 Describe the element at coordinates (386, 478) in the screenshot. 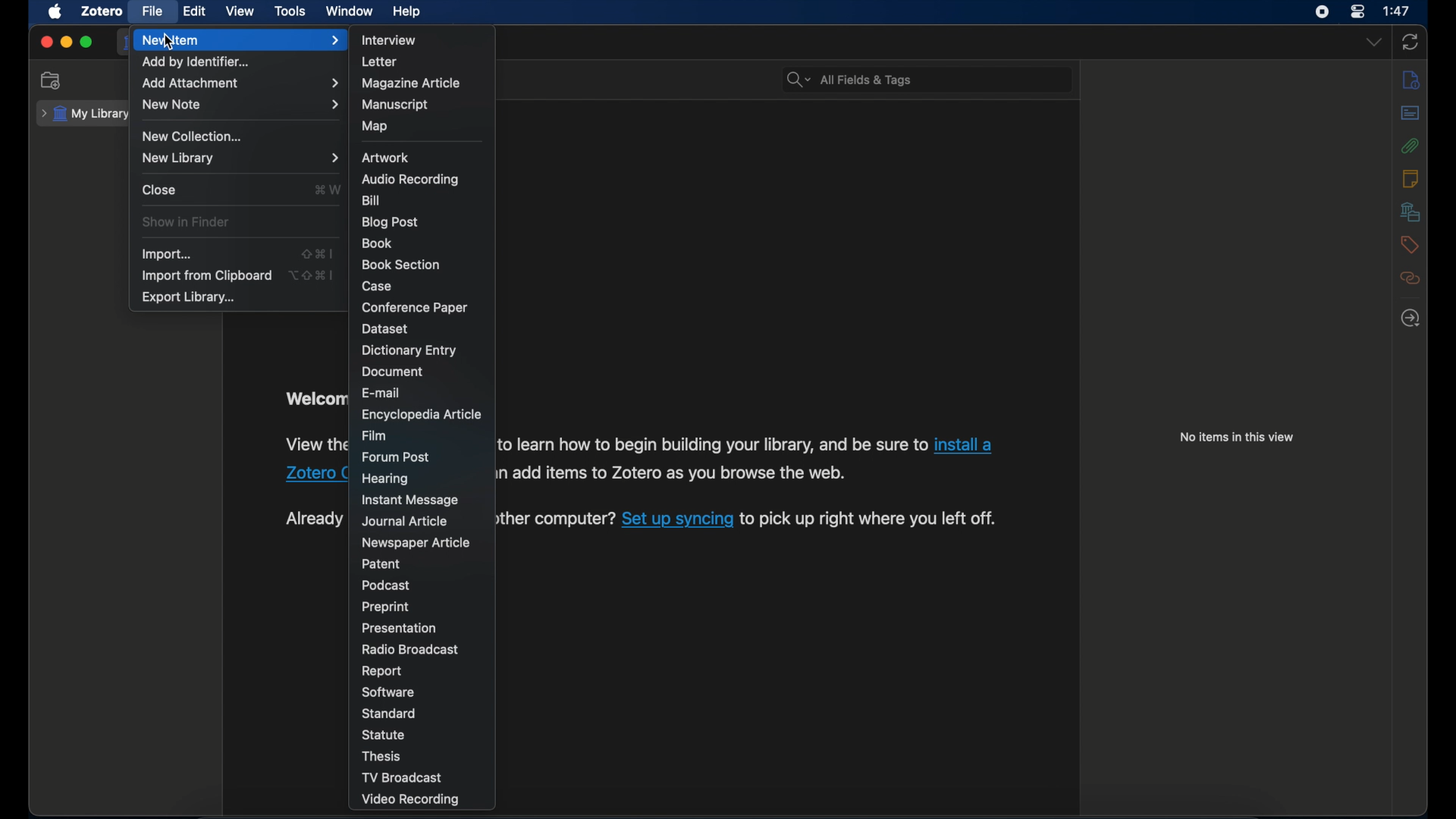

I see `hearing` at that location.